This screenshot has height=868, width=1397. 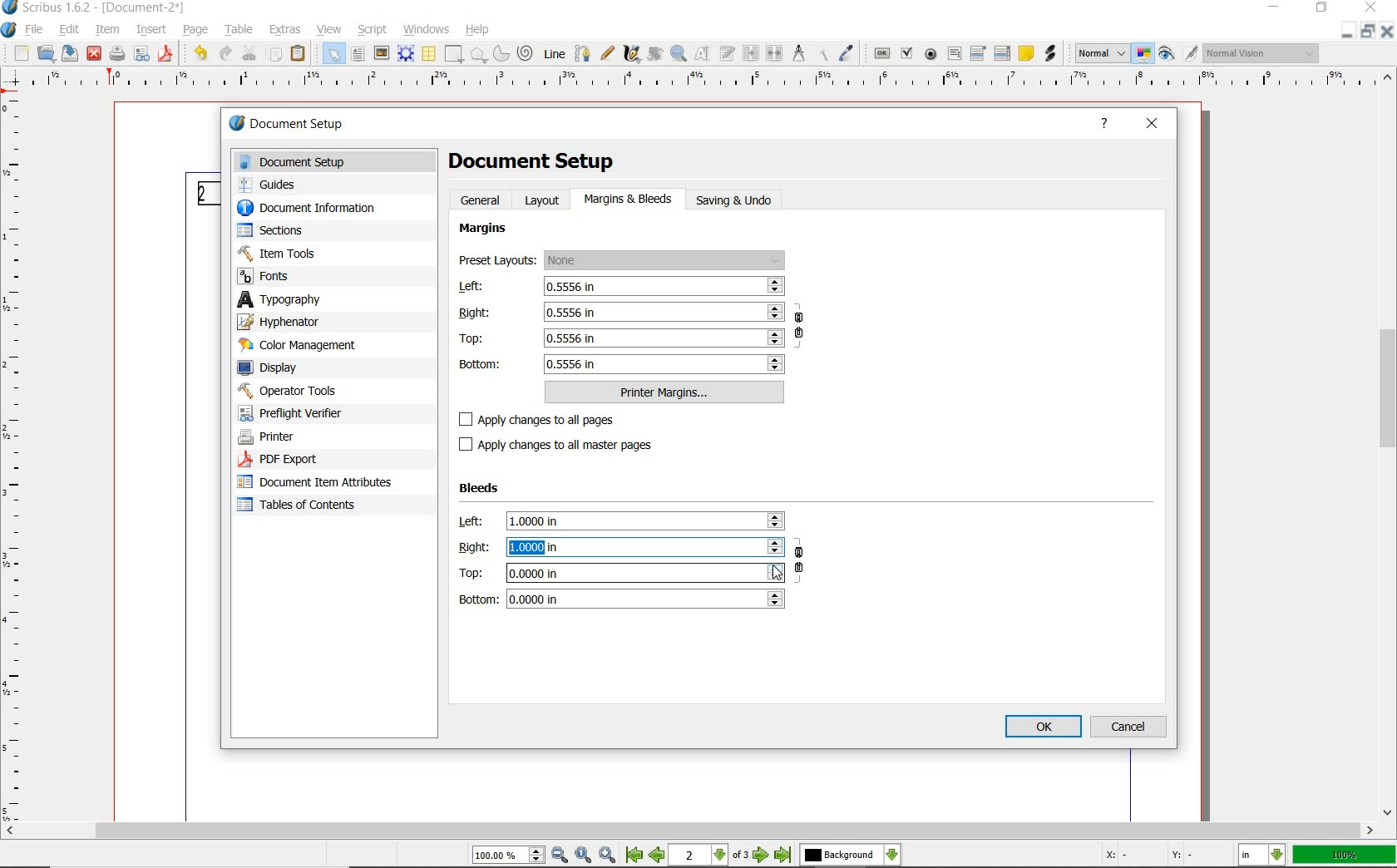 I want to click on scroll bar, so click(x=689, y=832).